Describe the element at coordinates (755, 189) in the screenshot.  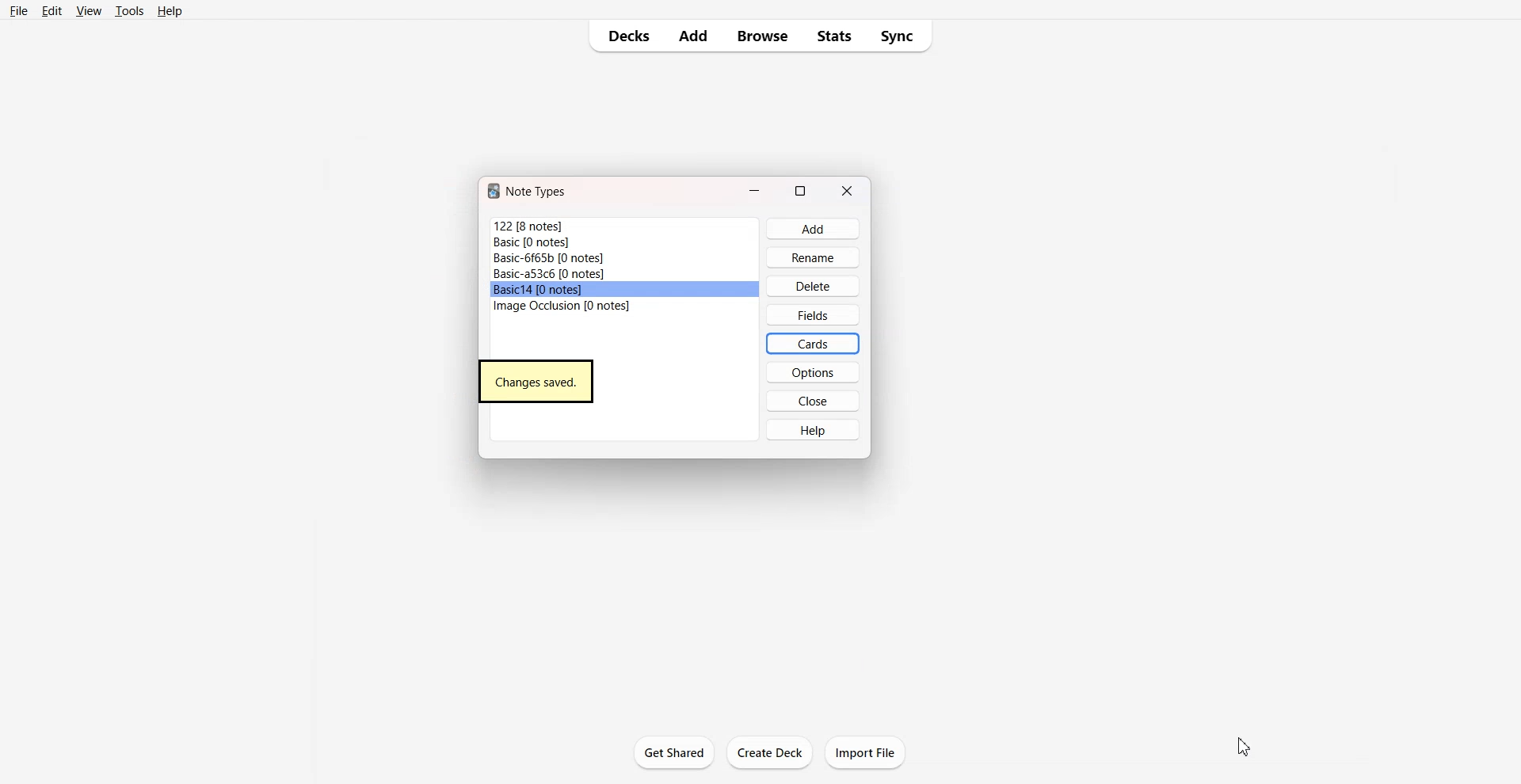
I see `Minimize` at that location.